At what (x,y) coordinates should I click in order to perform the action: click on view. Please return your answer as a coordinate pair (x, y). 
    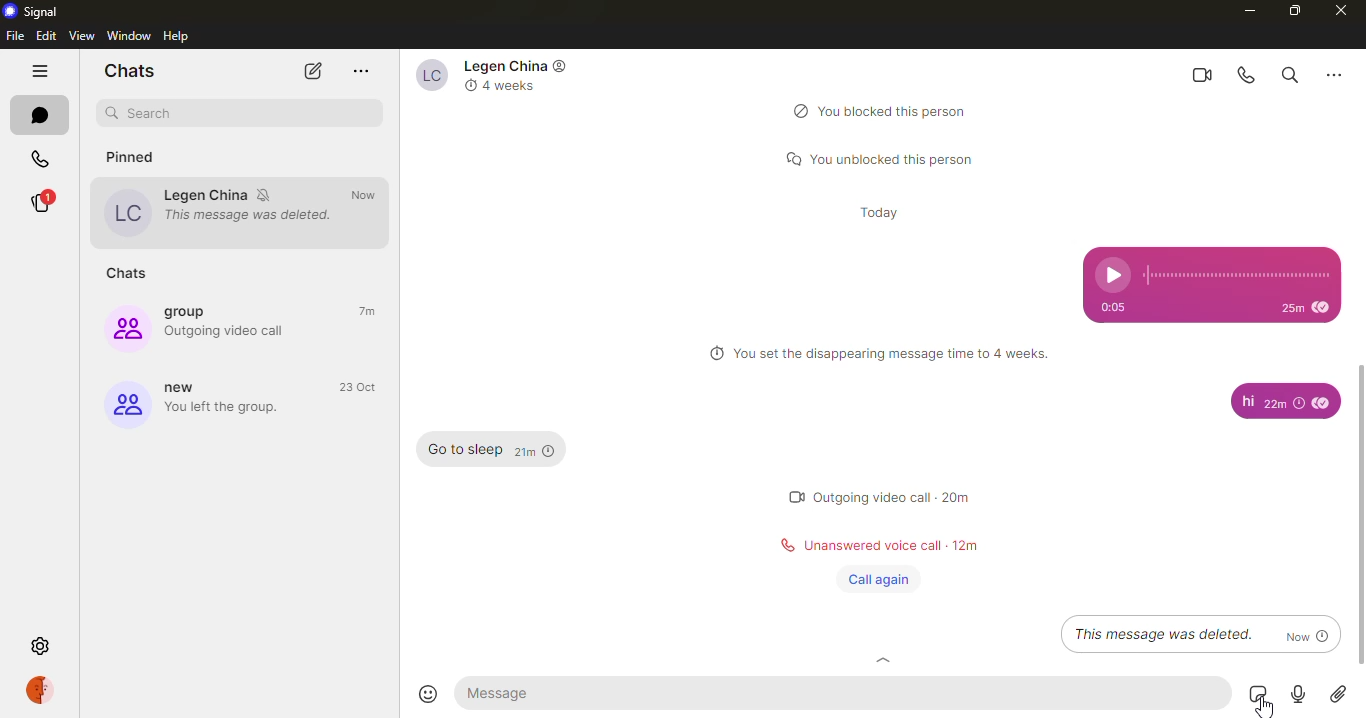
    Looking at the image, I should click on (82, 35).